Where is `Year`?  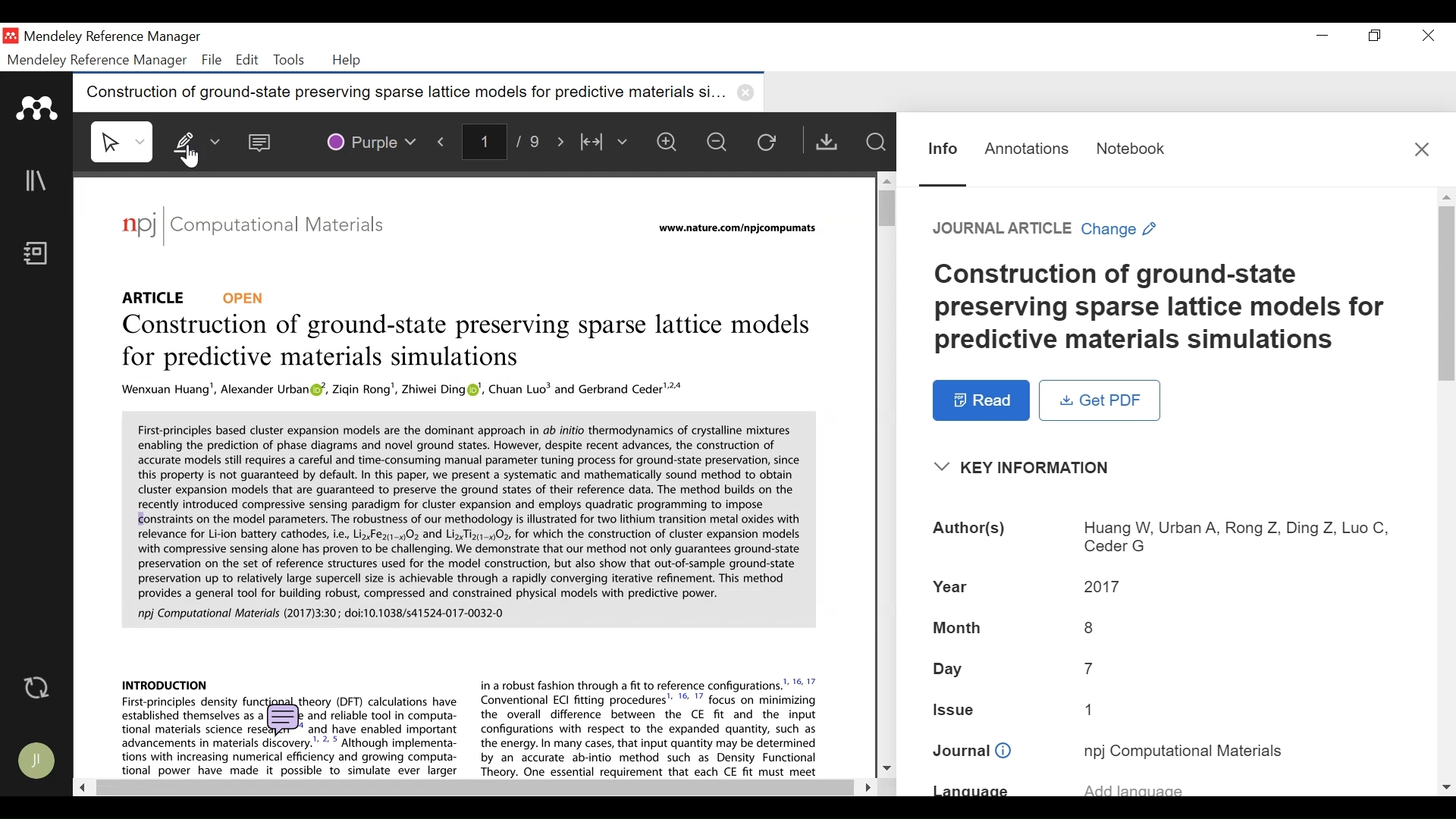
Year is located at coordinates (1103, 585).